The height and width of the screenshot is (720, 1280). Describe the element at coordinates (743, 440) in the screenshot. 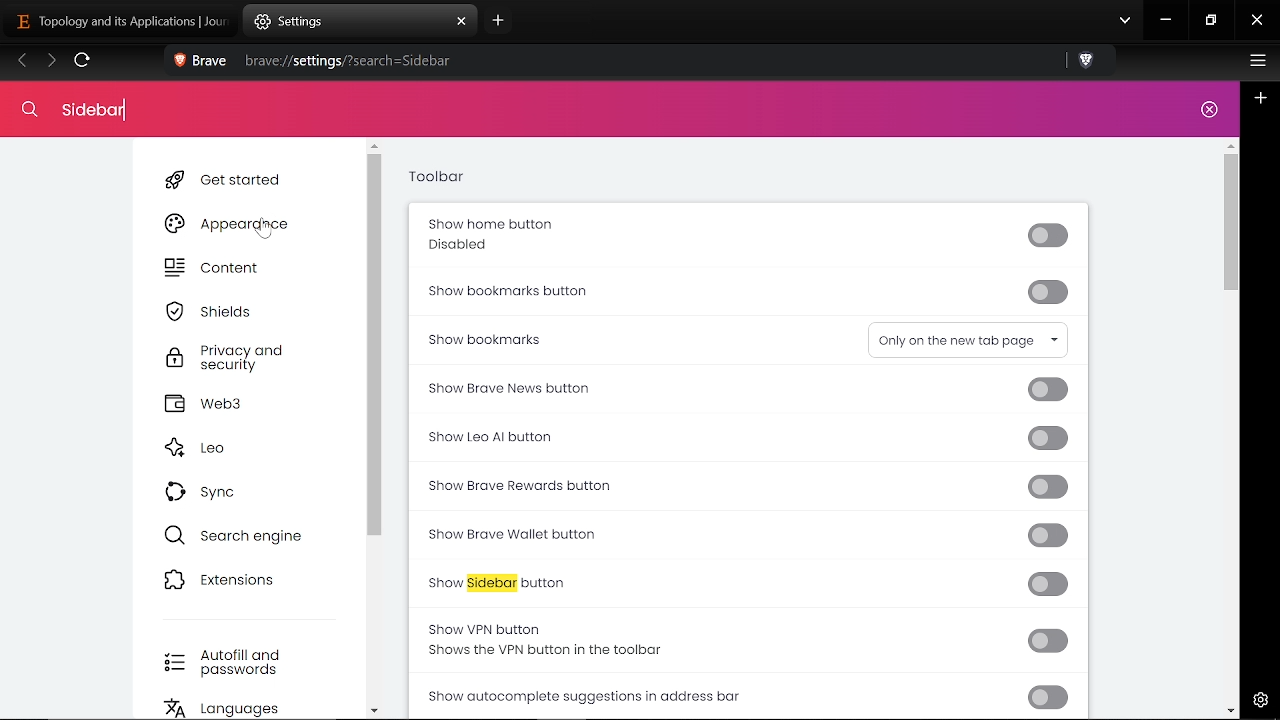

I see `Show Leo AI button` at that location.